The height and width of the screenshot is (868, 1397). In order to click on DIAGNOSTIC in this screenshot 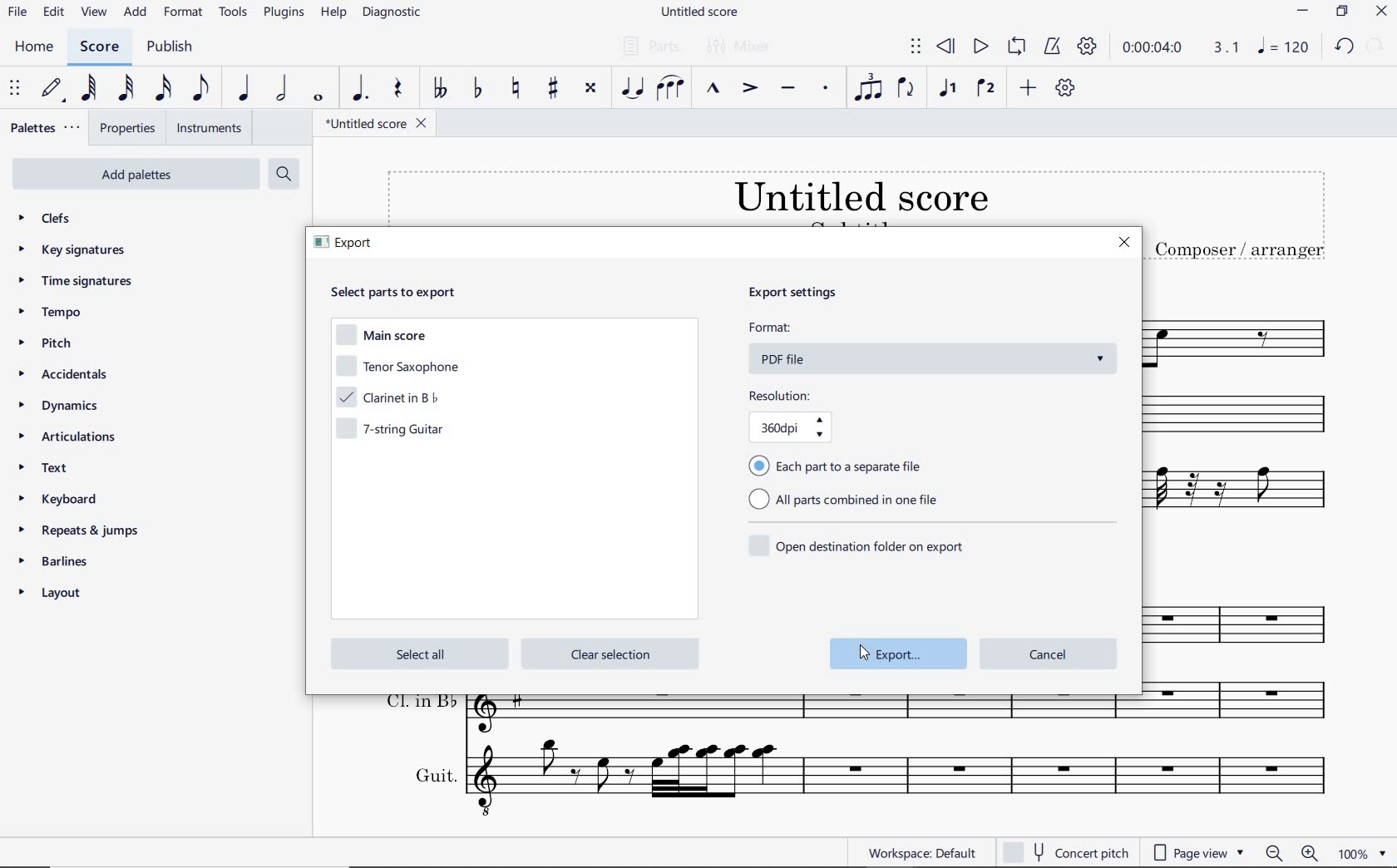, I will do `click(392, 13)`.